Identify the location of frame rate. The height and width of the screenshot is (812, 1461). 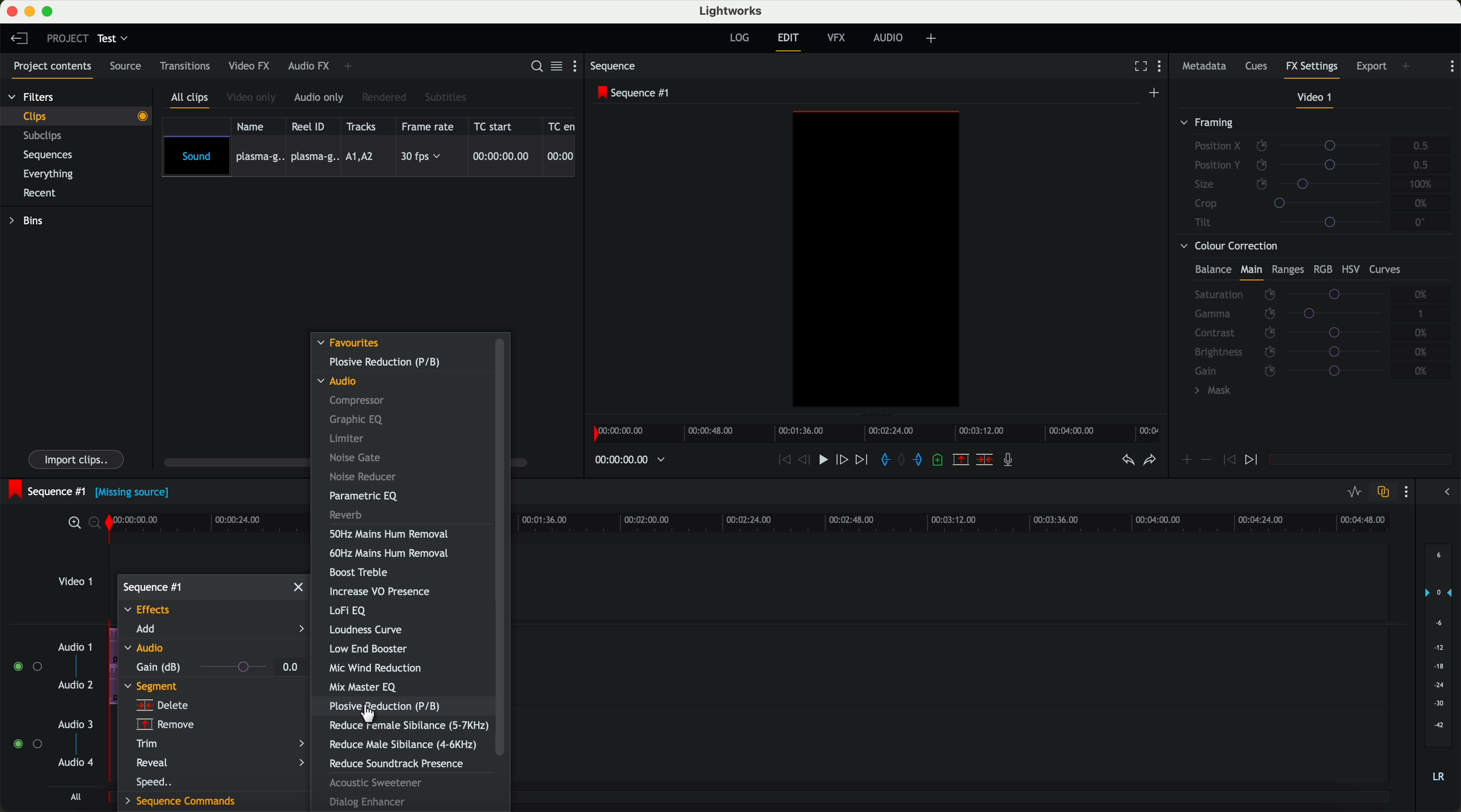
(430, 126).